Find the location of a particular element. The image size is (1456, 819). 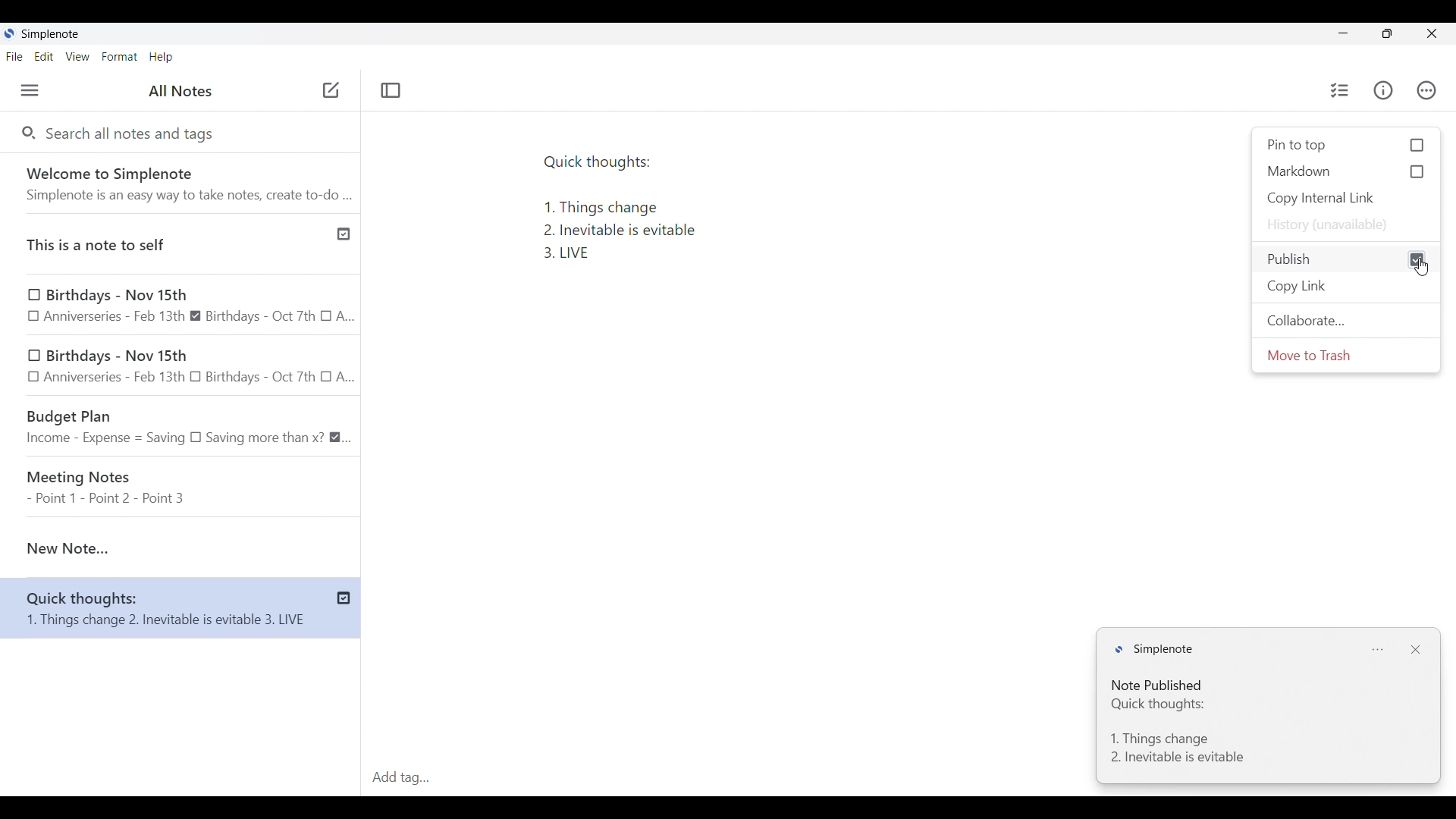

Text pasted is located at coordinates (686, 216).